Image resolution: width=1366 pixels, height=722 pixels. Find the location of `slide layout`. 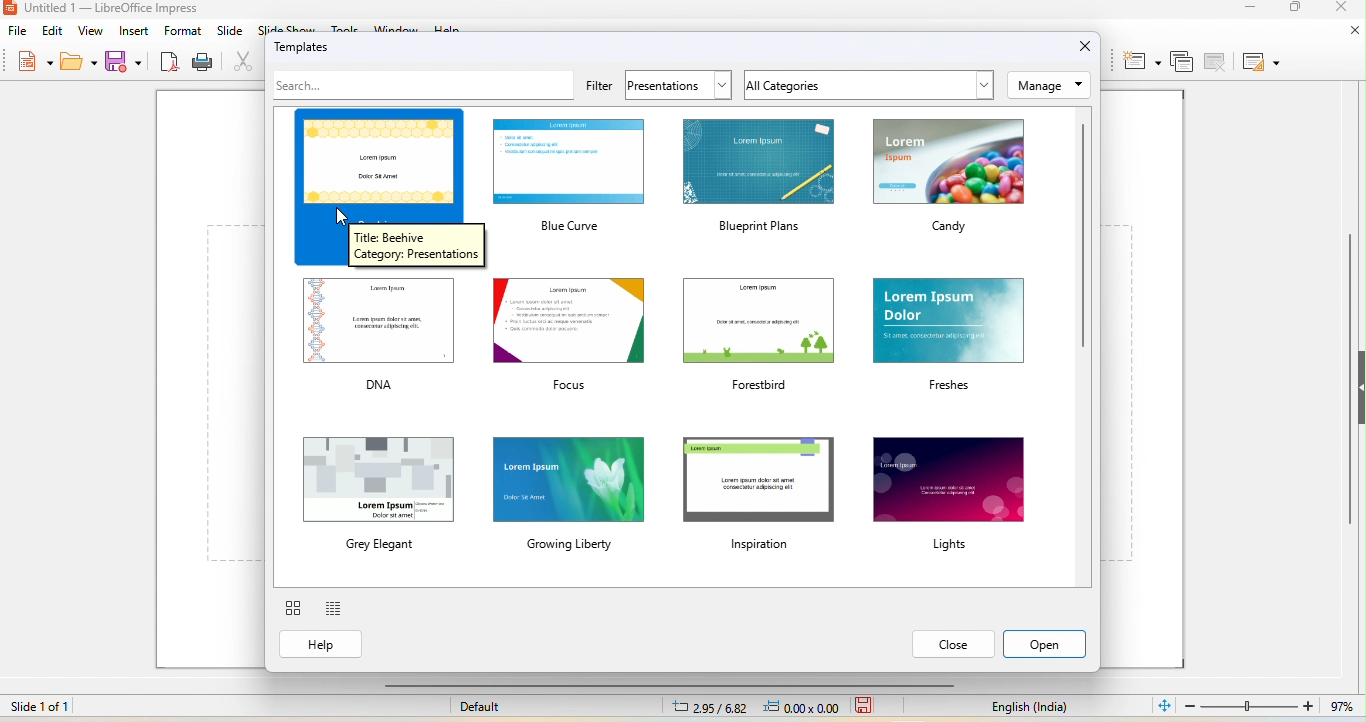

slide layout is located at coordinates (1260, 63).